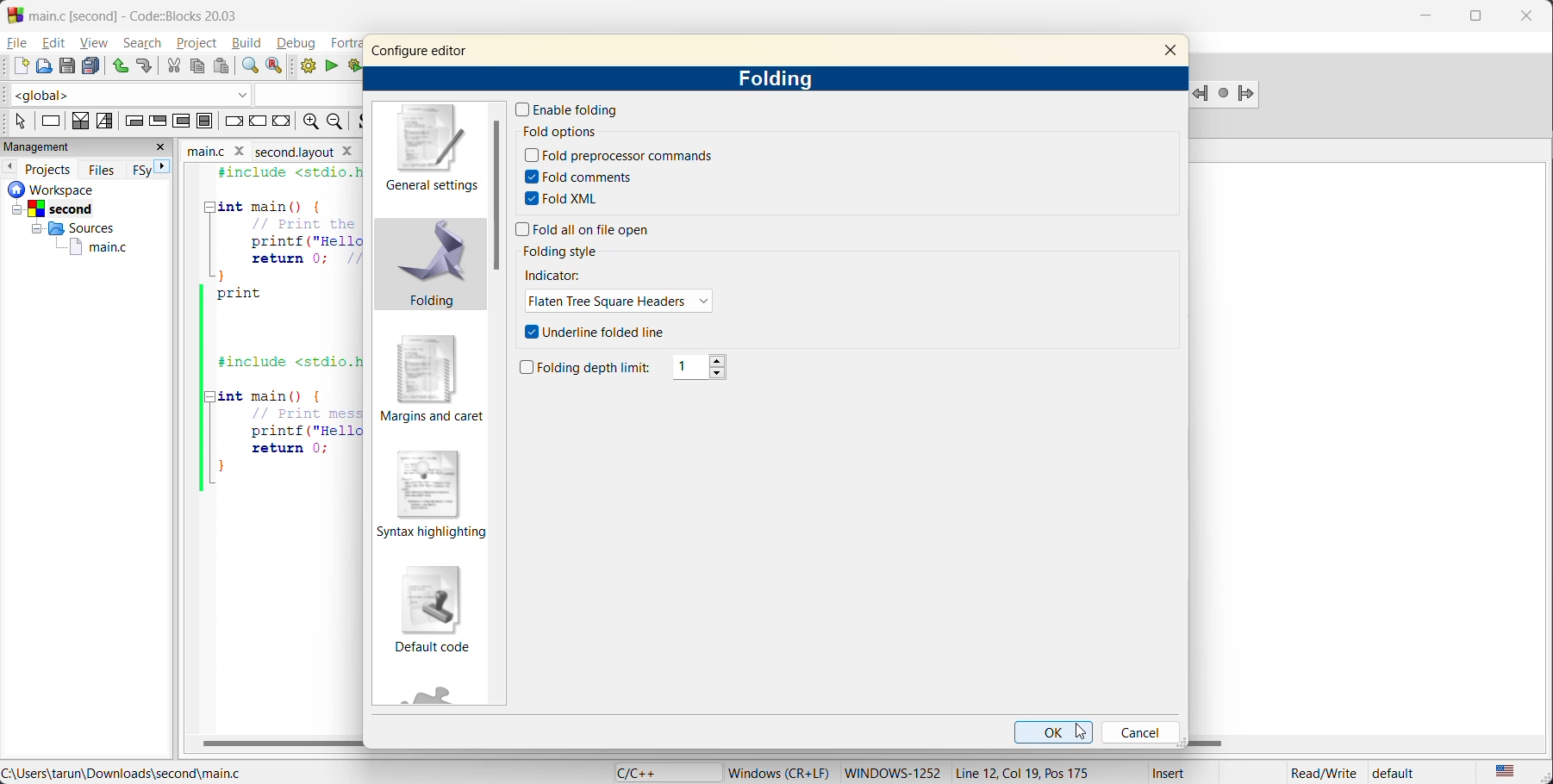  What do you see at coordinates (282, 123) in the screenshot?
I see `return instruction` at bounding box center [282, 123].